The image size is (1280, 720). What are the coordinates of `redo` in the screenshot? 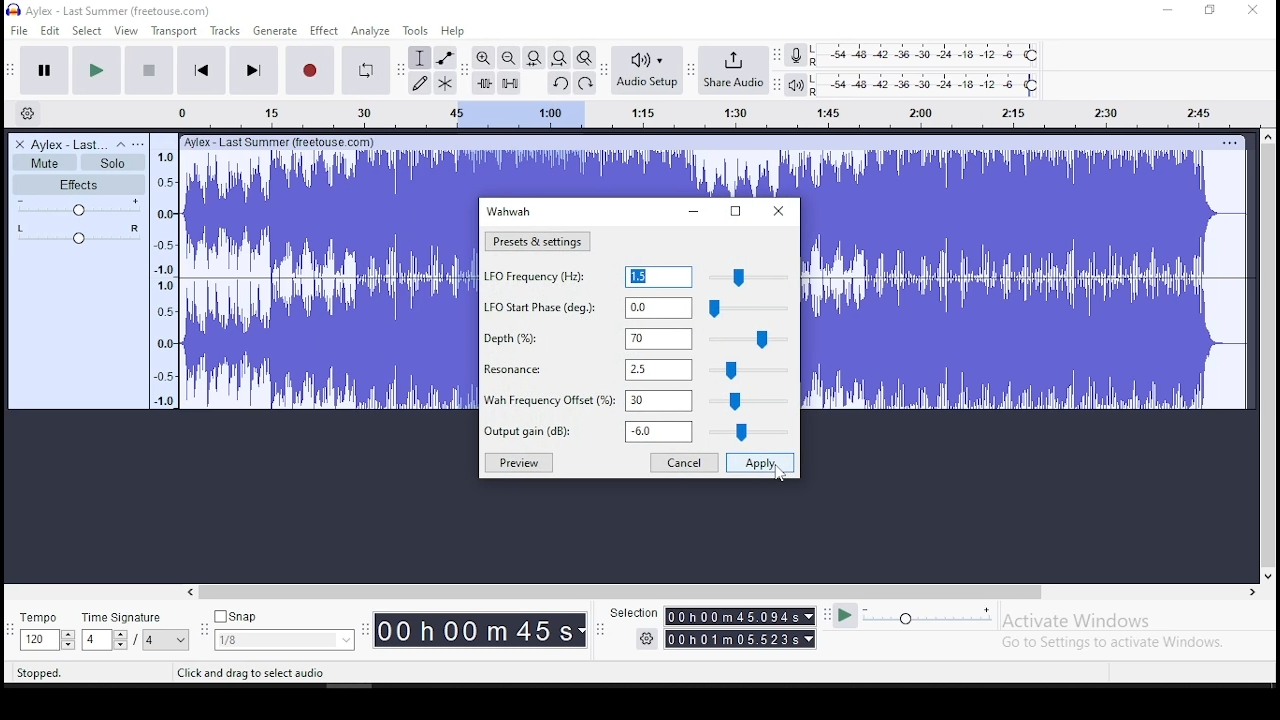 It's located at (586, 82).